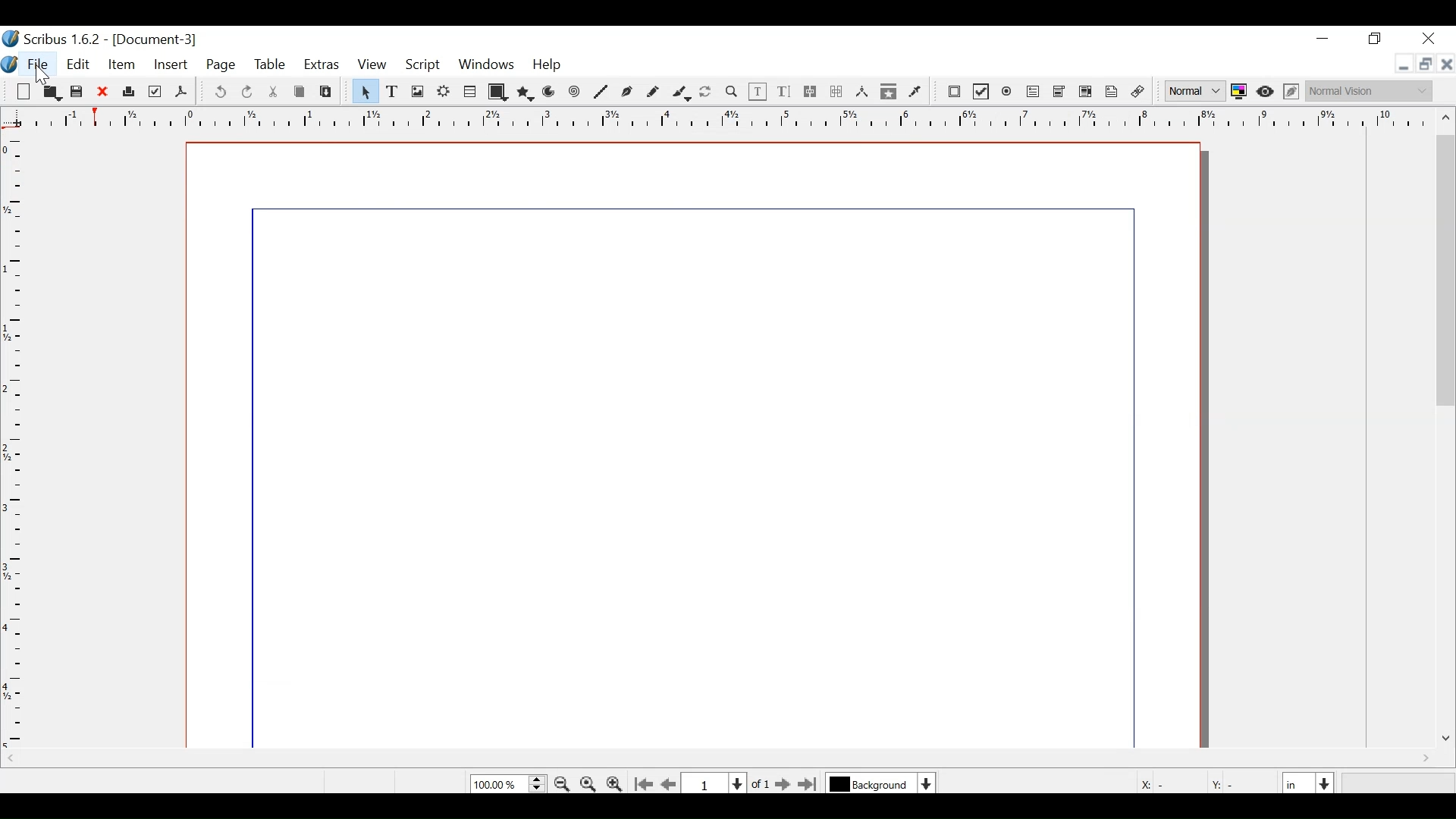 Image resolution: width=1456 pixels, height=819 pixels. What do you see at coordinates (836, 92) in the screenshot?
I see `Unlink text frame` at bounding box center [836, 92].